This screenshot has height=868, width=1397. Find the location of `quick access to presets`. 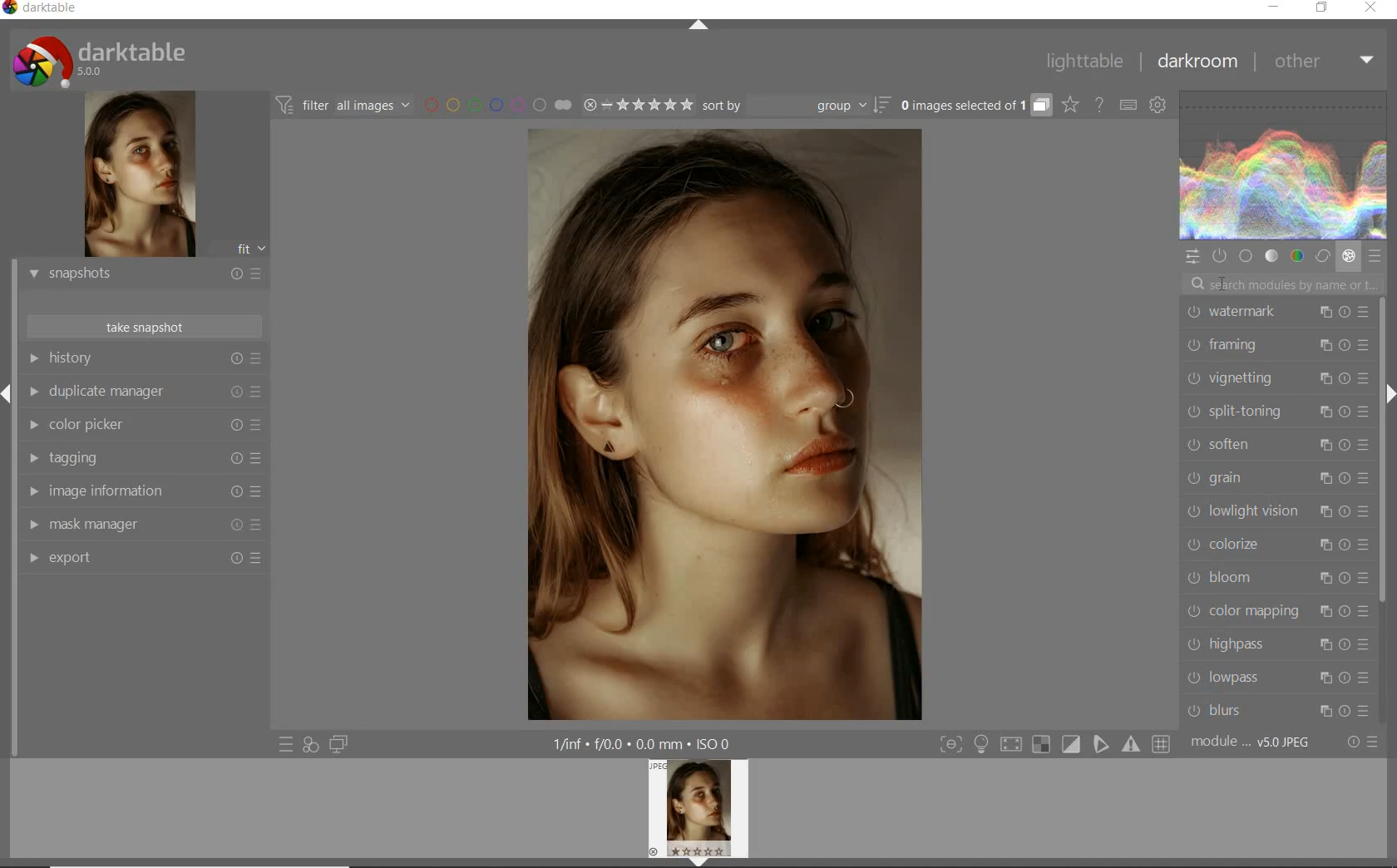

quick access to presets is located at coordinates (287, 744).